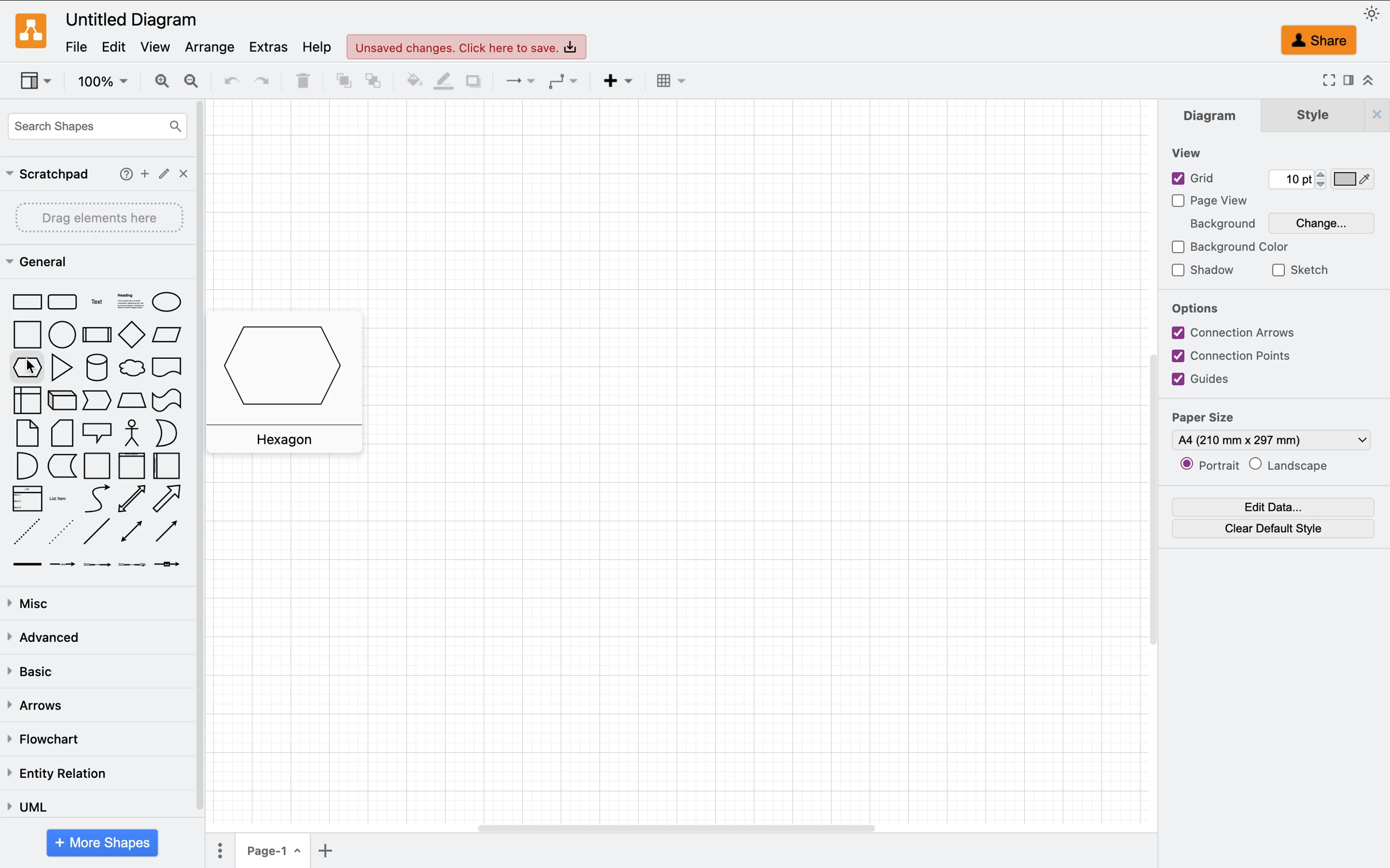  Describe the element at coordinates (1192, 152) in the screenshot. I see `view` at that location.